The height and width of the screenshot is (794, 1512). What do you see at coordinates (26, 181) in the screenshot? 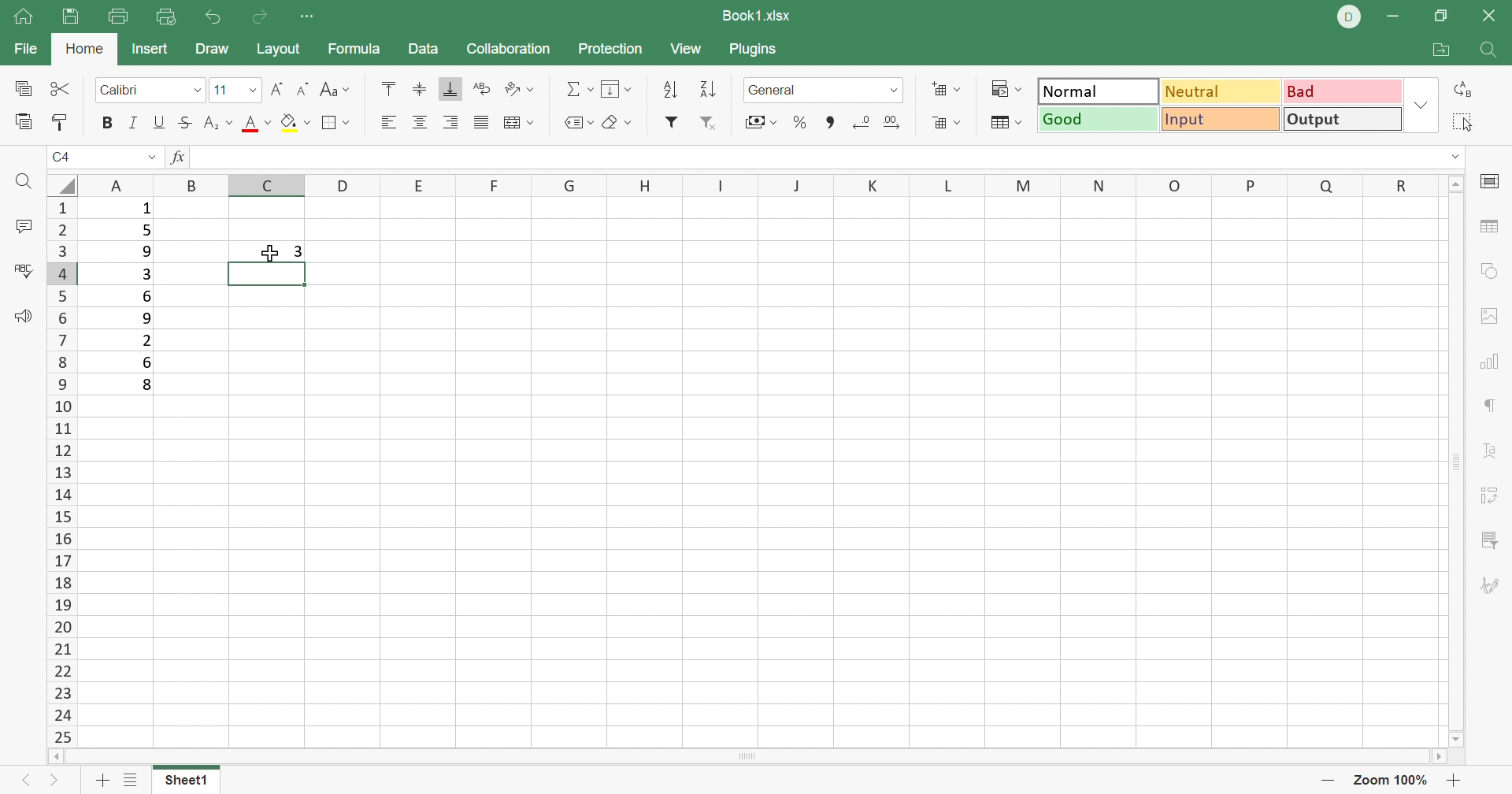
I see `Find` at bounding box center [26, 181].